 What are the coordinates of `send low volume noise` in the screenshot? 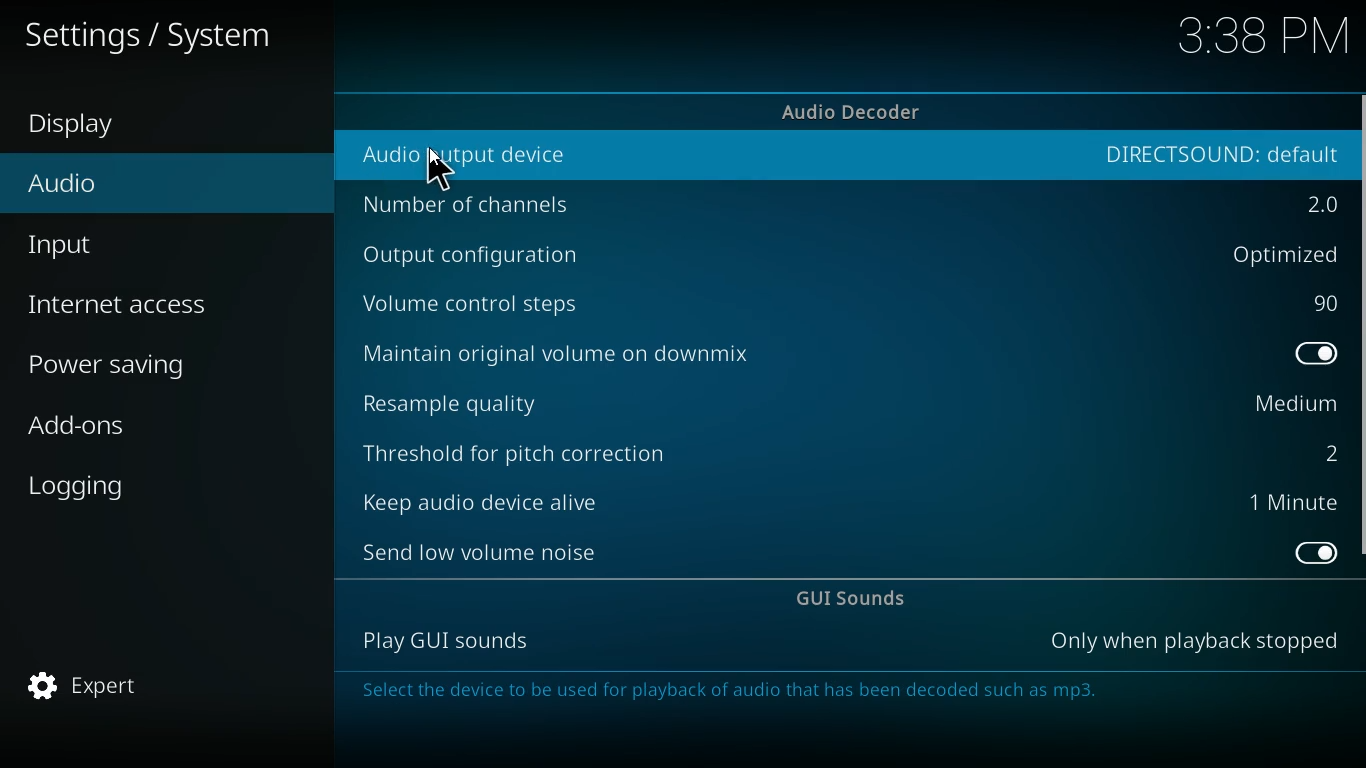 It's located at (485, 550).